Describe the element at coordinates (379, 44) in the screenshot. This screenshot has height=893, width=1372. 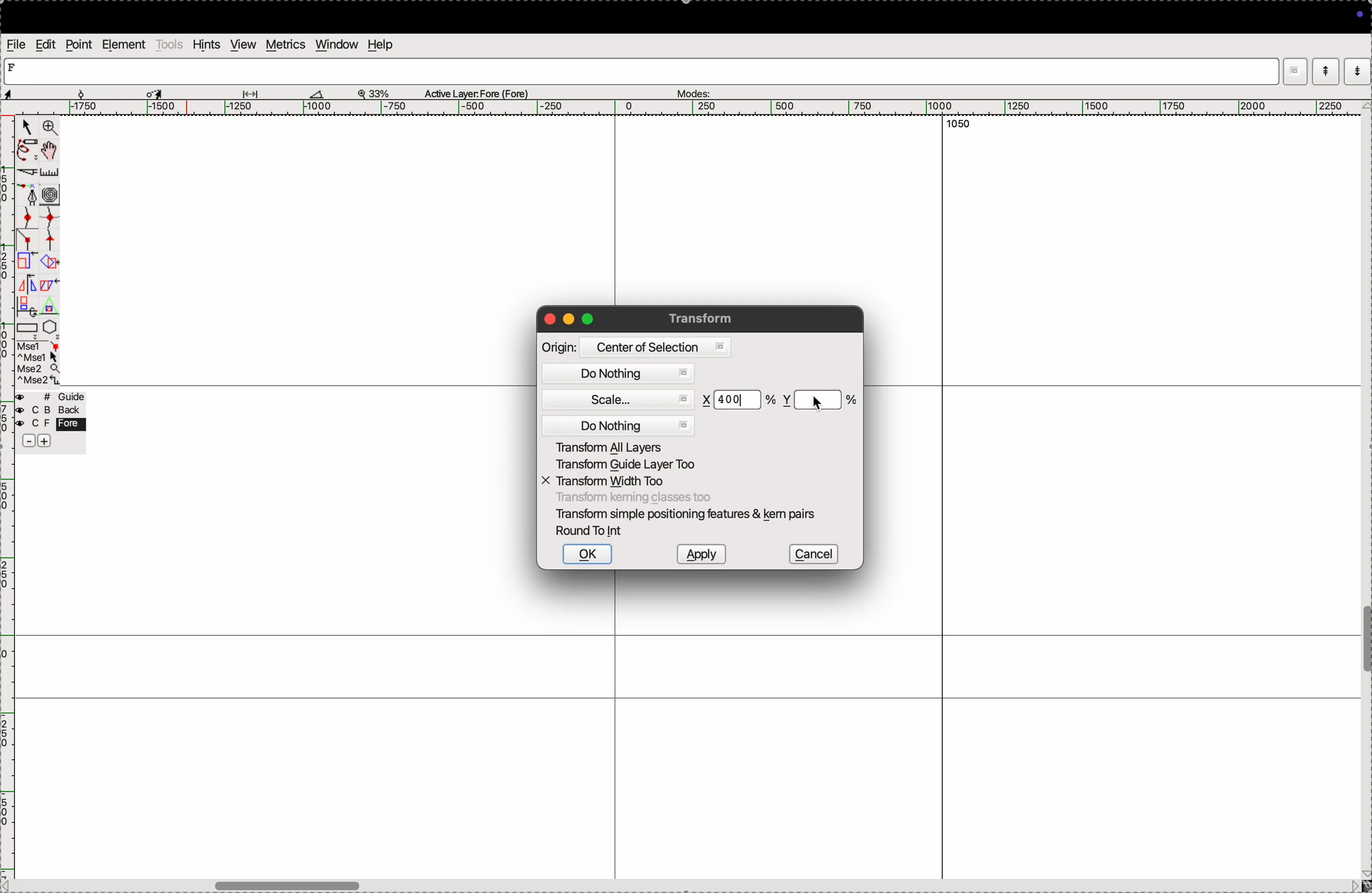
I see `help` at that location.